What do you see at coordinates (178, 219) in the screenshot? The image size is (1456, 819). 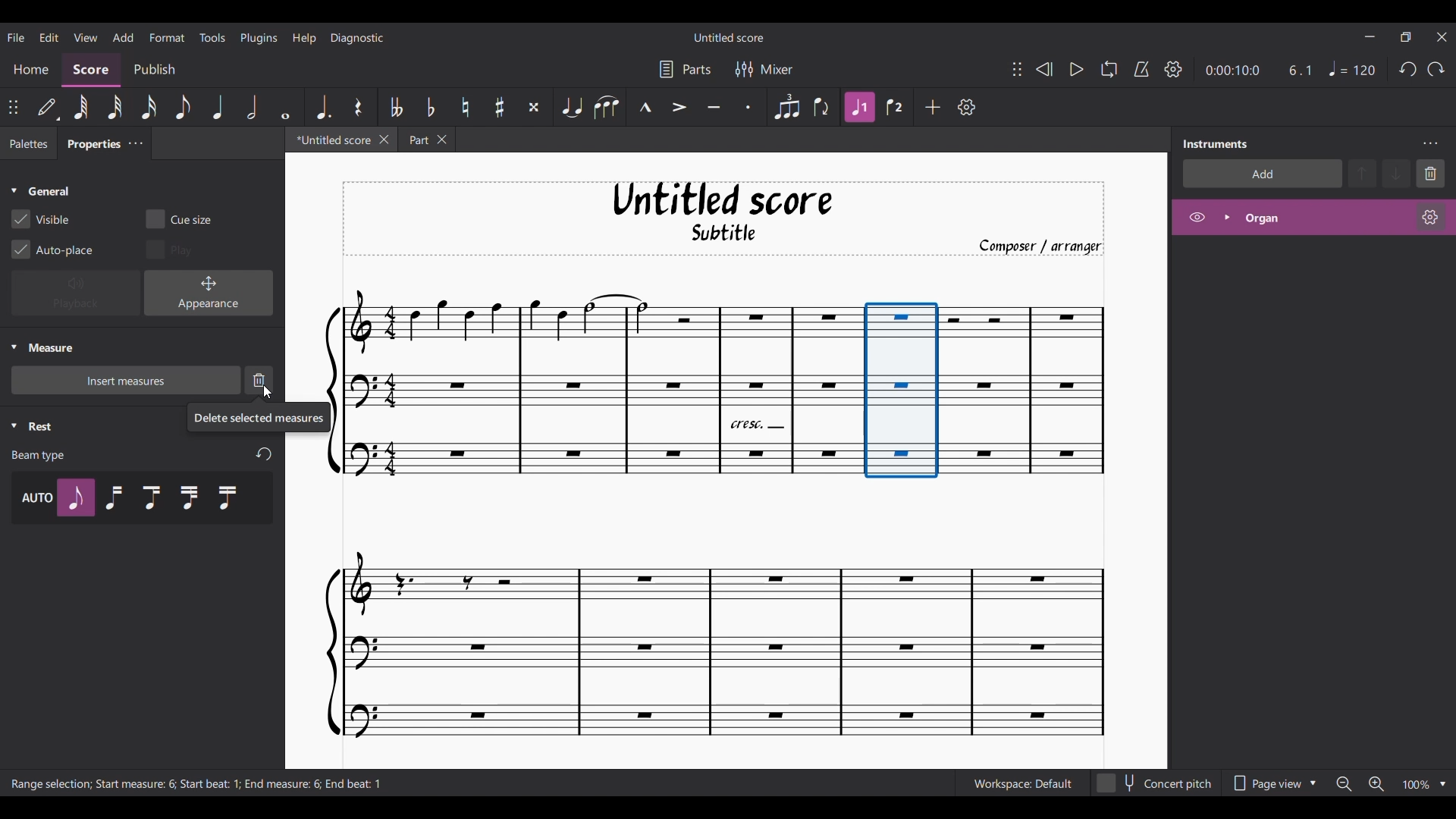 I see `Toggle for Cue size` at bounding box center [178, 219].